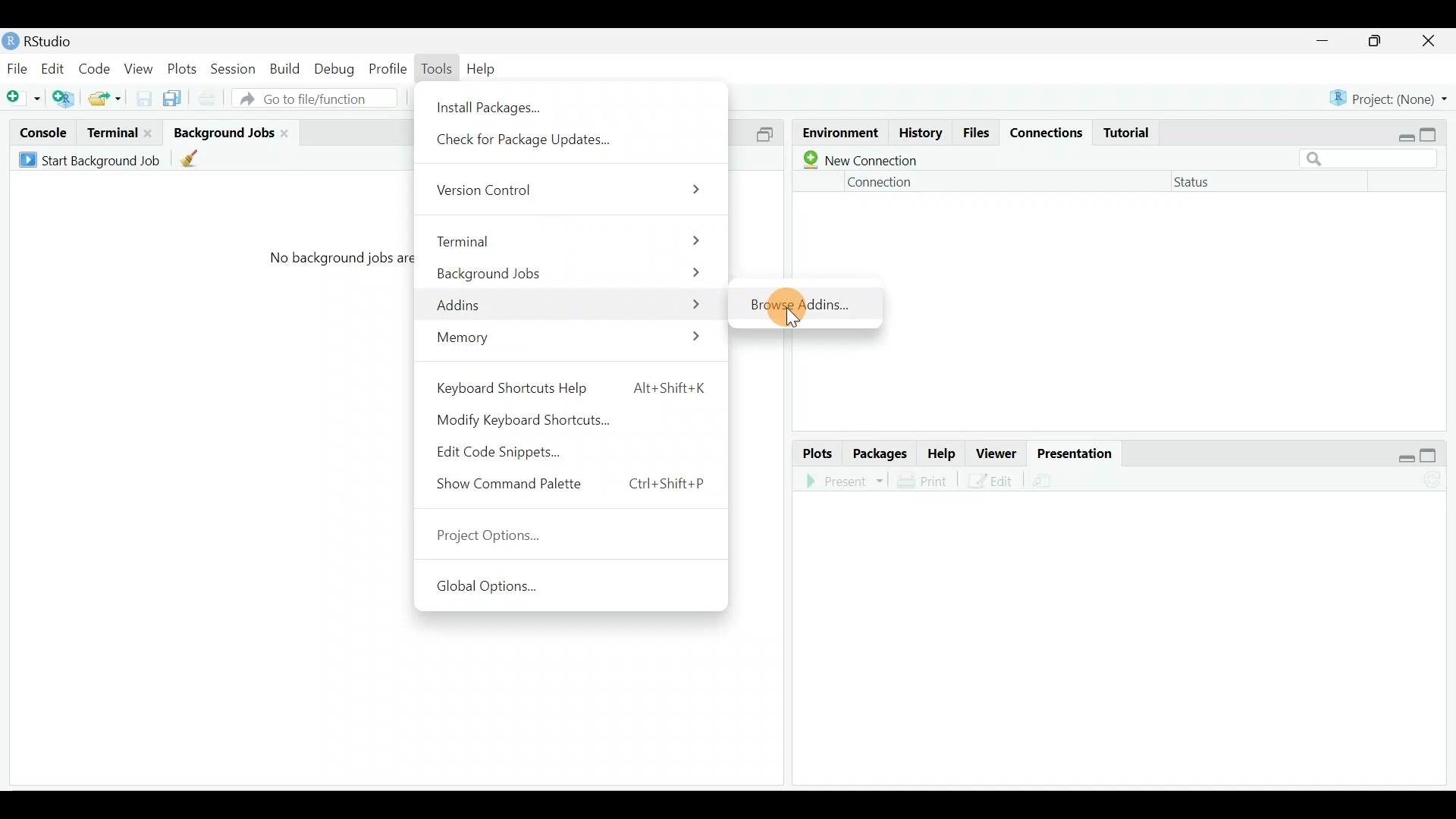 The height and width of the screenshot is (819, 1456). I want to click on Build, so click(287, 69).